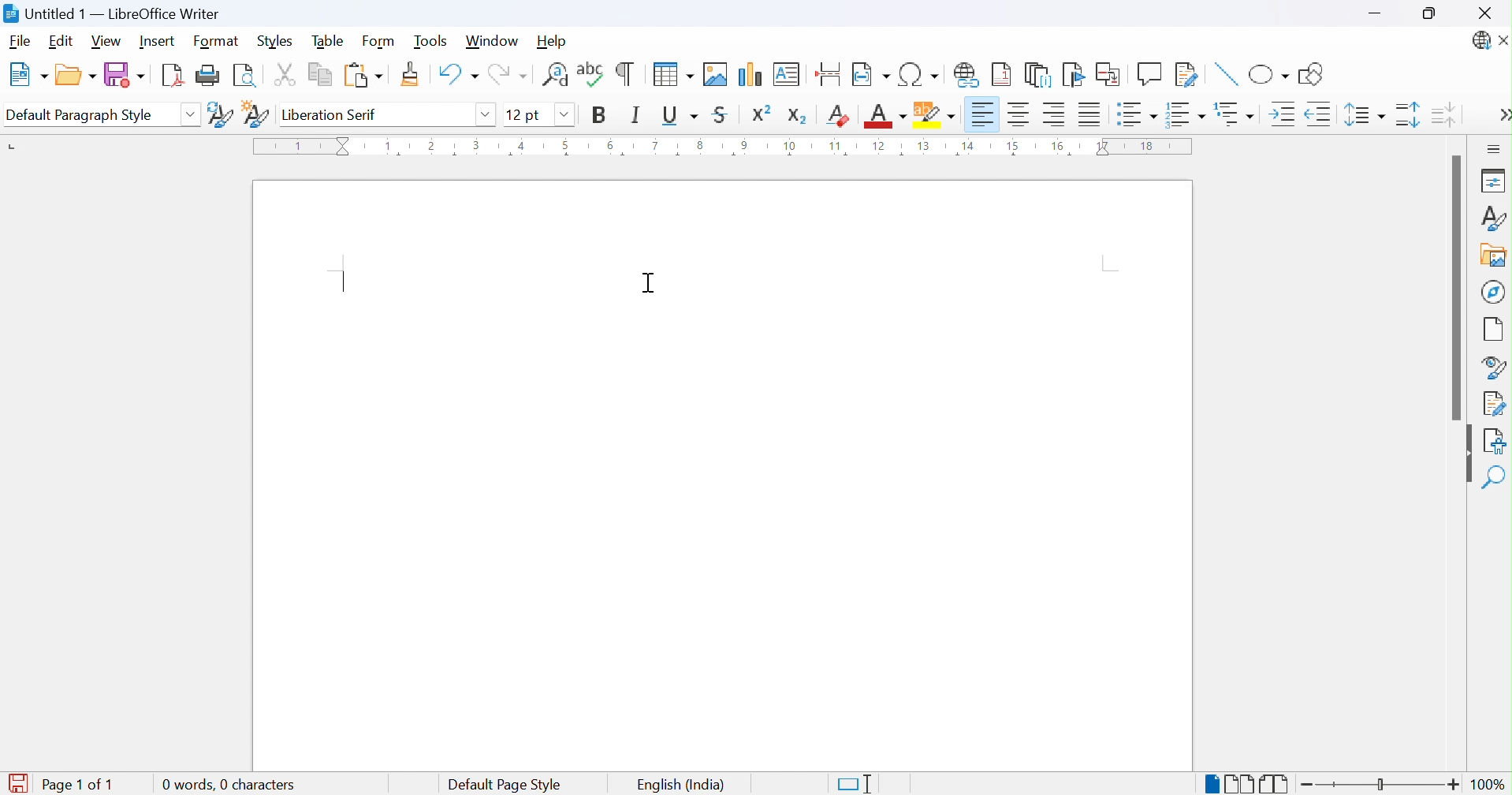  What do you see at coordinates (885, 115) in the screenshot?
I see `Font color` at bounding box center [885, 115].